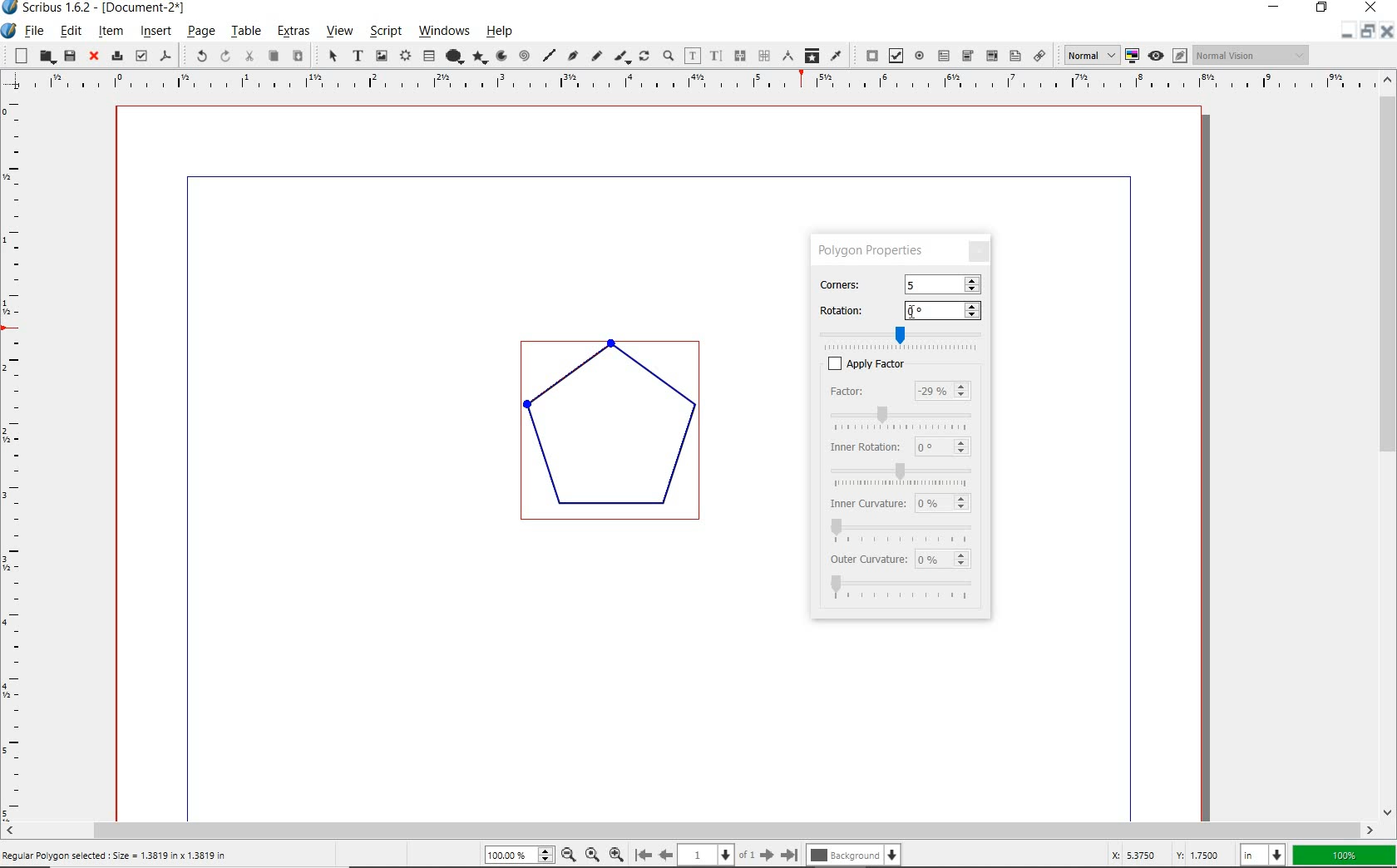 The height and width of the screenshot is (868, 1397). I want to click on text frame, so click(358, 57).